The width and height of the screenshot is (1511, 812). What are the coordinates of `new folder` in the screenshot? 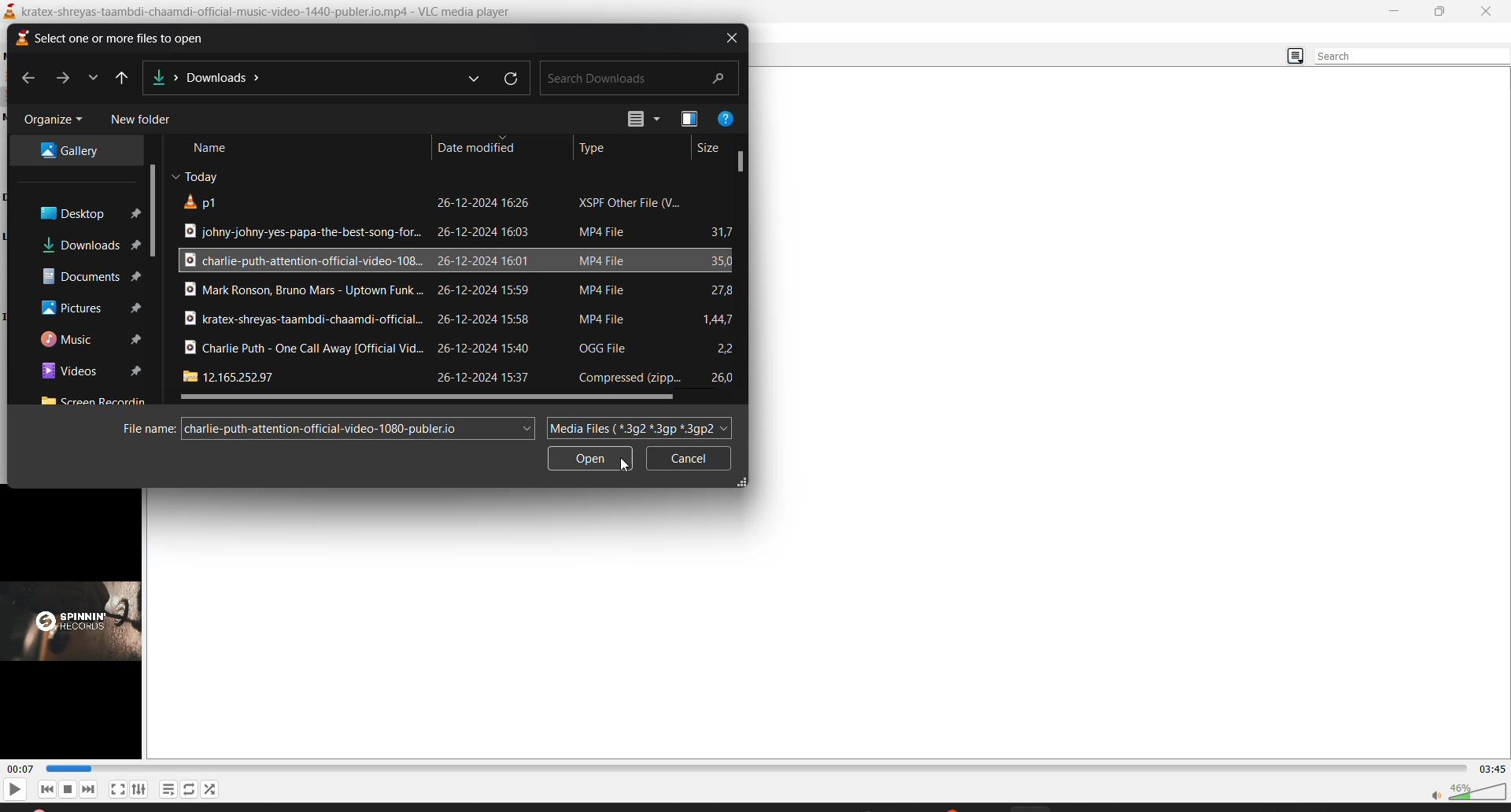 It's located at (145, 122).